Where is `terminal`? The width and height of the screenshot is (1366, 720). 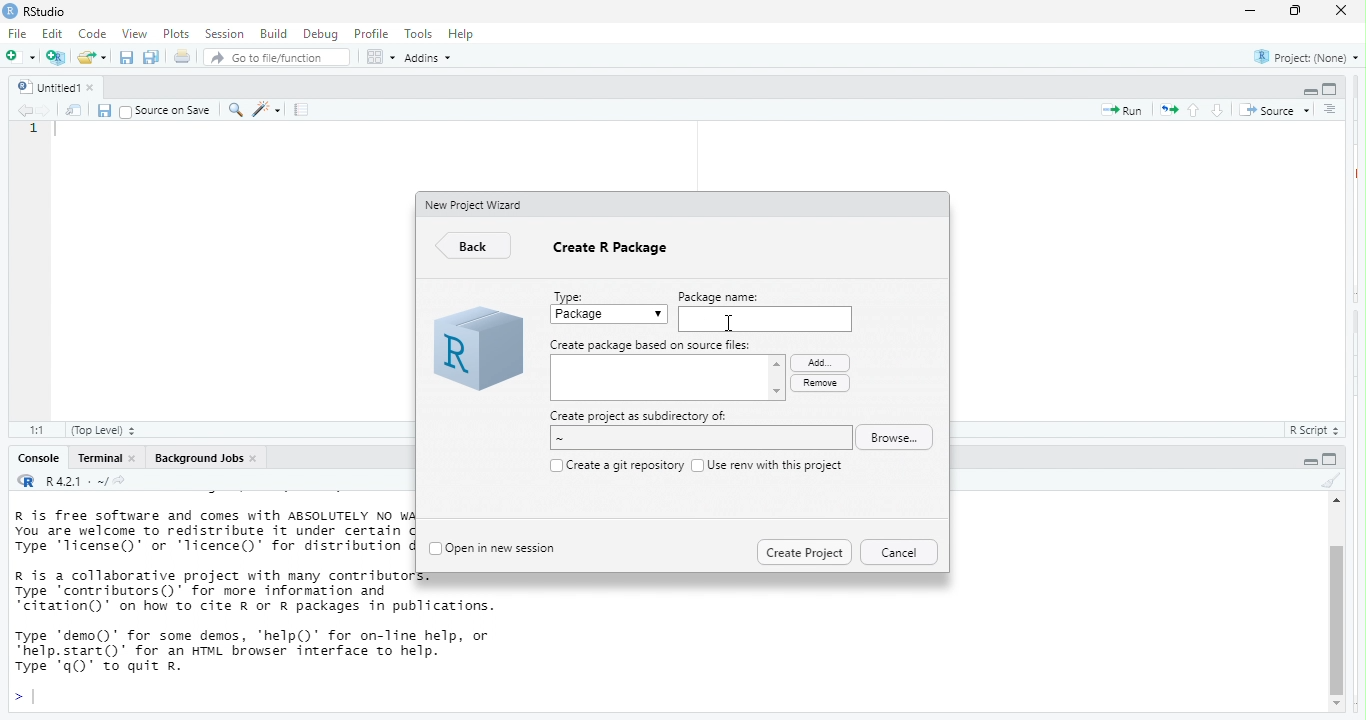
terminal is located at coordinates (100, 459).